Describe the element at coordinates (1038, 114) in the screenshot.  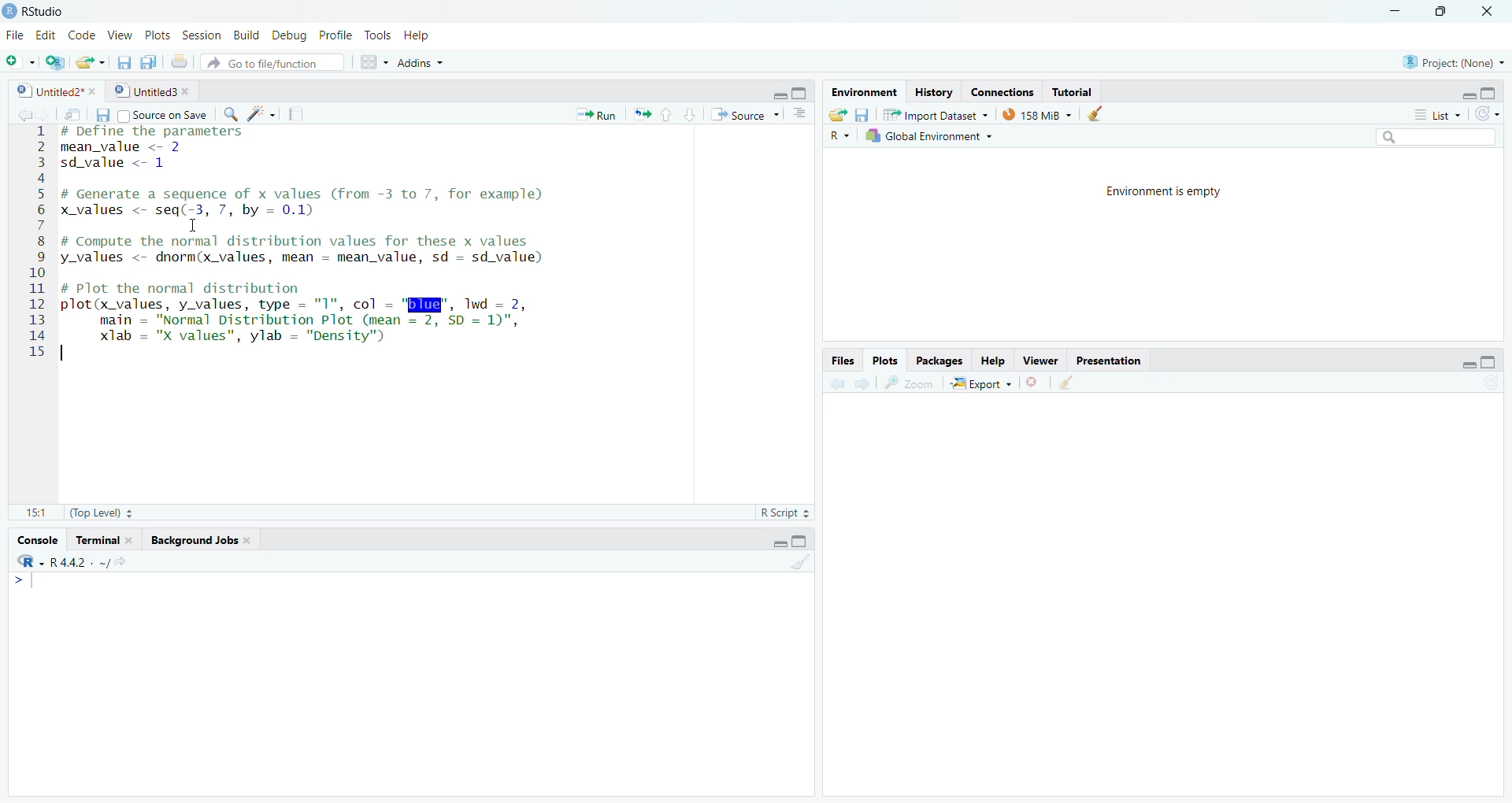
I see `» 158 MiB ` at that location.